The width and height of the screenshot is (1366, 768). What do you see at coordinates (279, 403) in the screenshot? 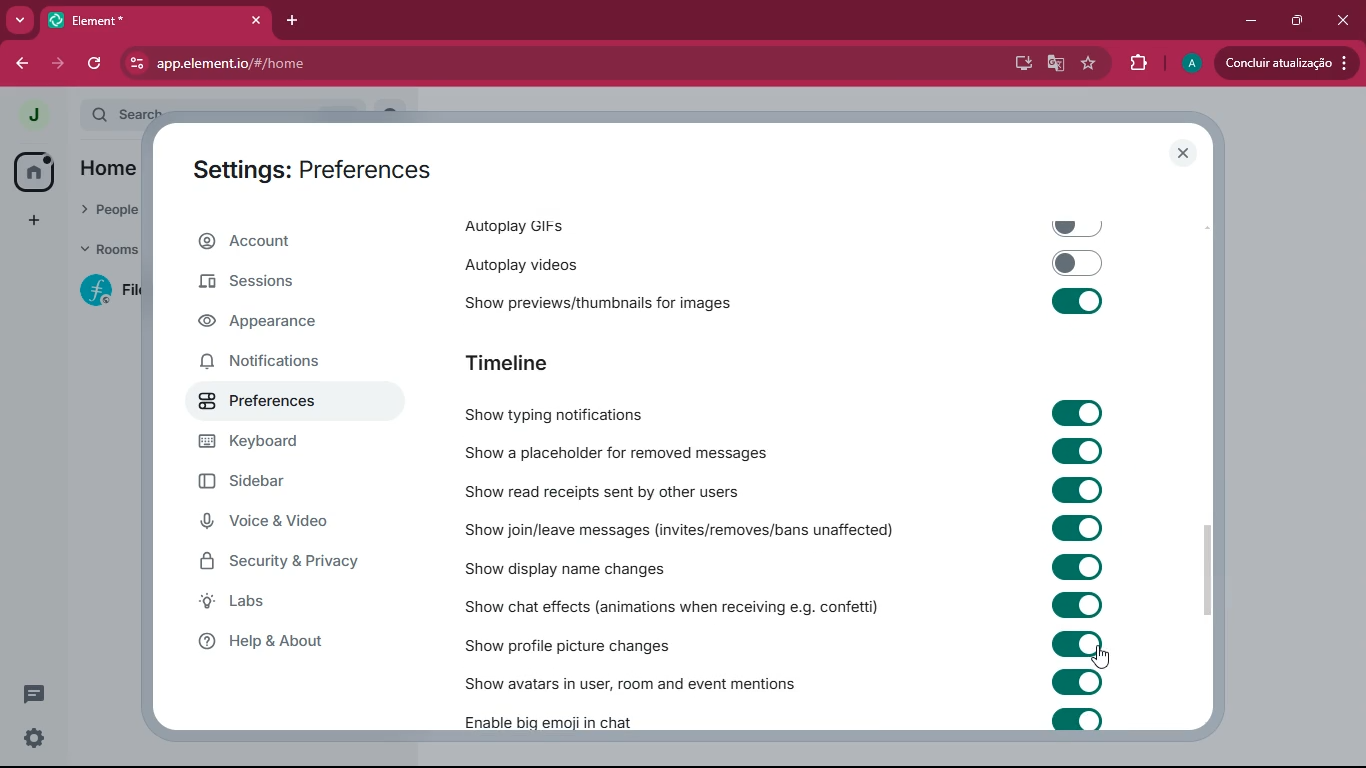
I see `preferences` at bounding box center [279, 403].